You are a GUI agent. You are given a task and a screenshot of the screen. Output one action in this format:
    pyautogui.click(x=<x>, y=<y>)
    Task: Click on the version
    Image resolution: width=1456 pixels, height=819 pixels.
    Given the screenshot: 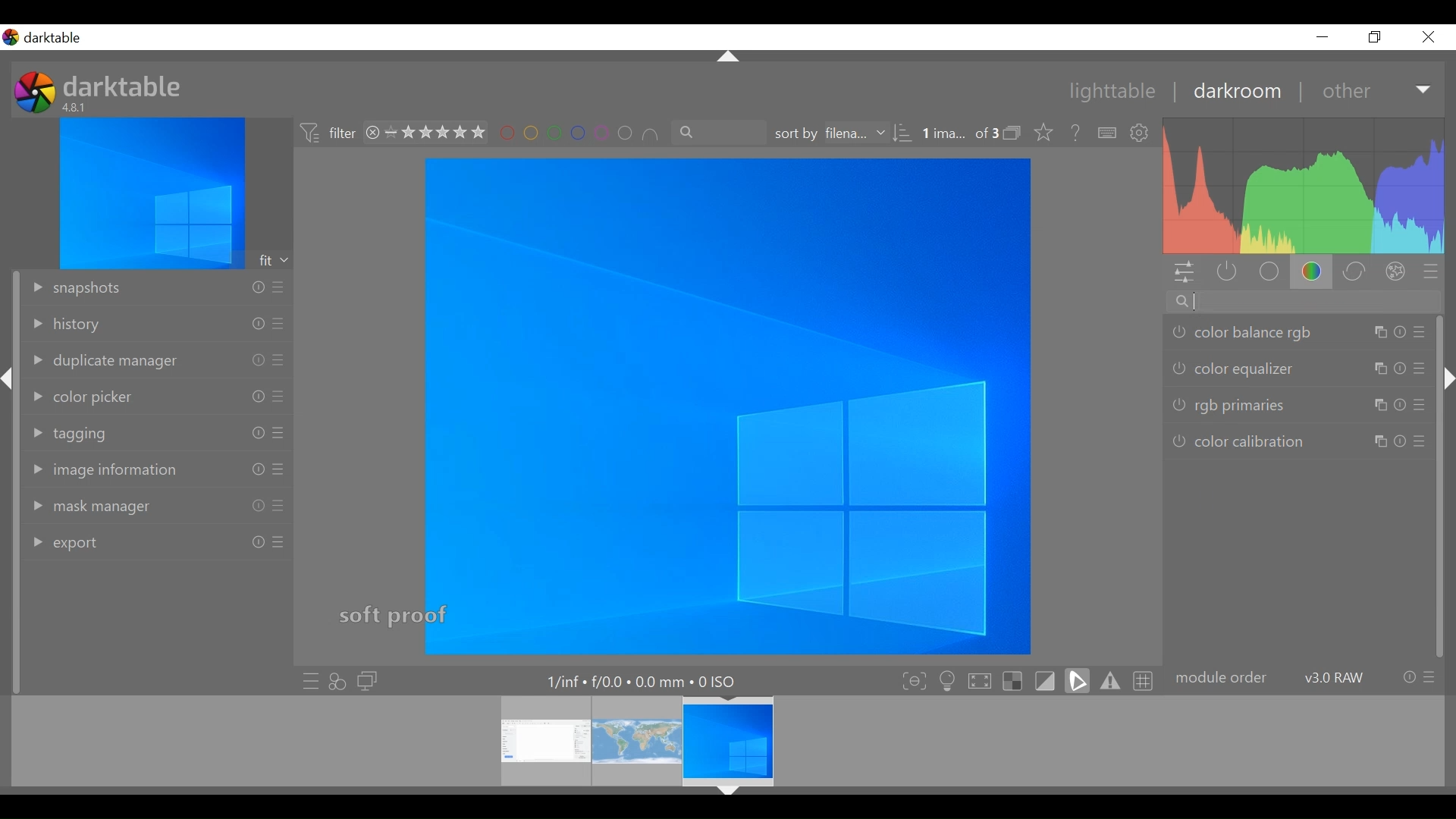 What is the action you would take?
    pyautogui.click(x=77, y=107)
    